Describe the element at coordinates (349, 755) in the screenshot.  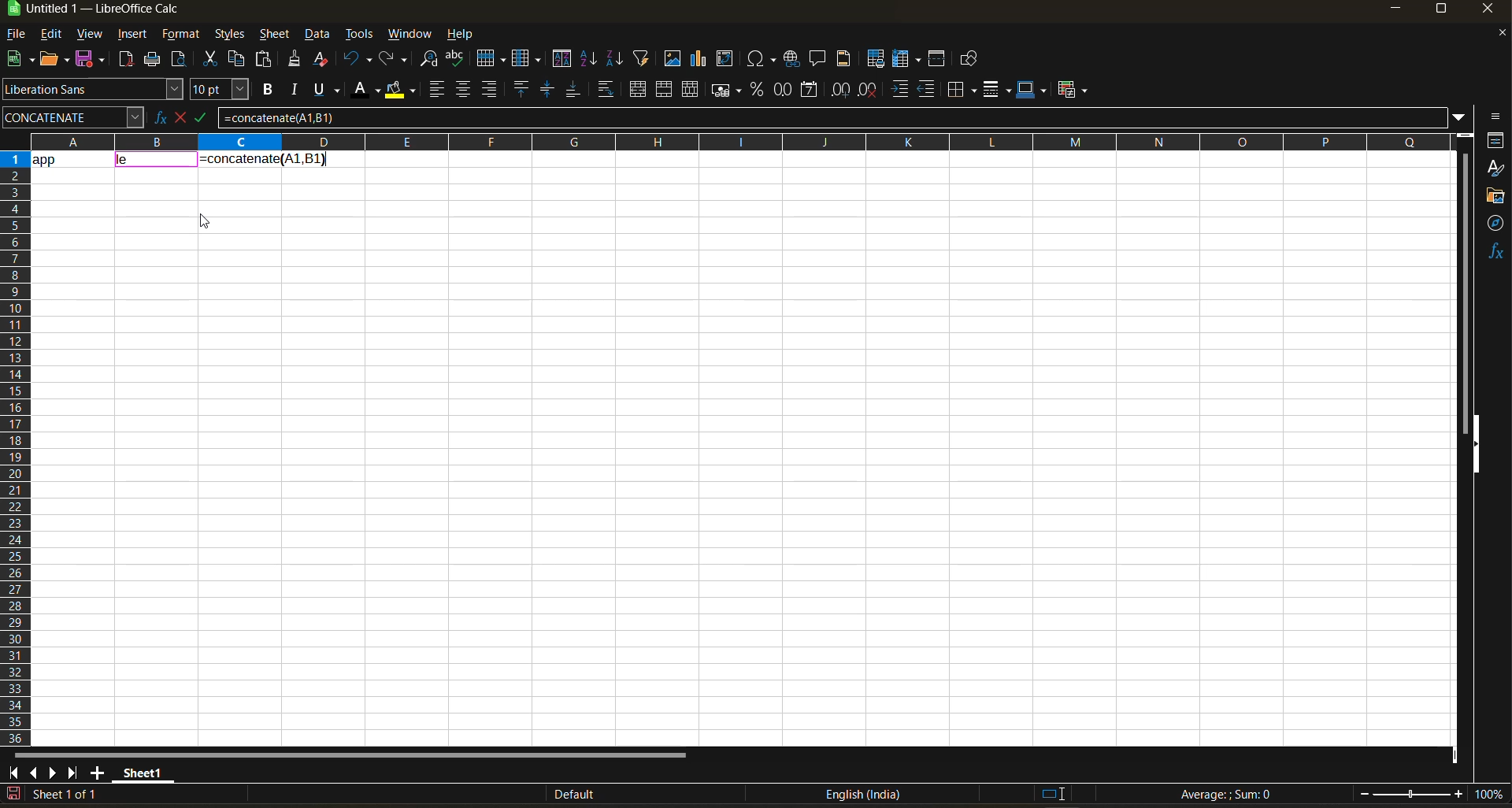
I see `horizontal scroll bar` at that location.